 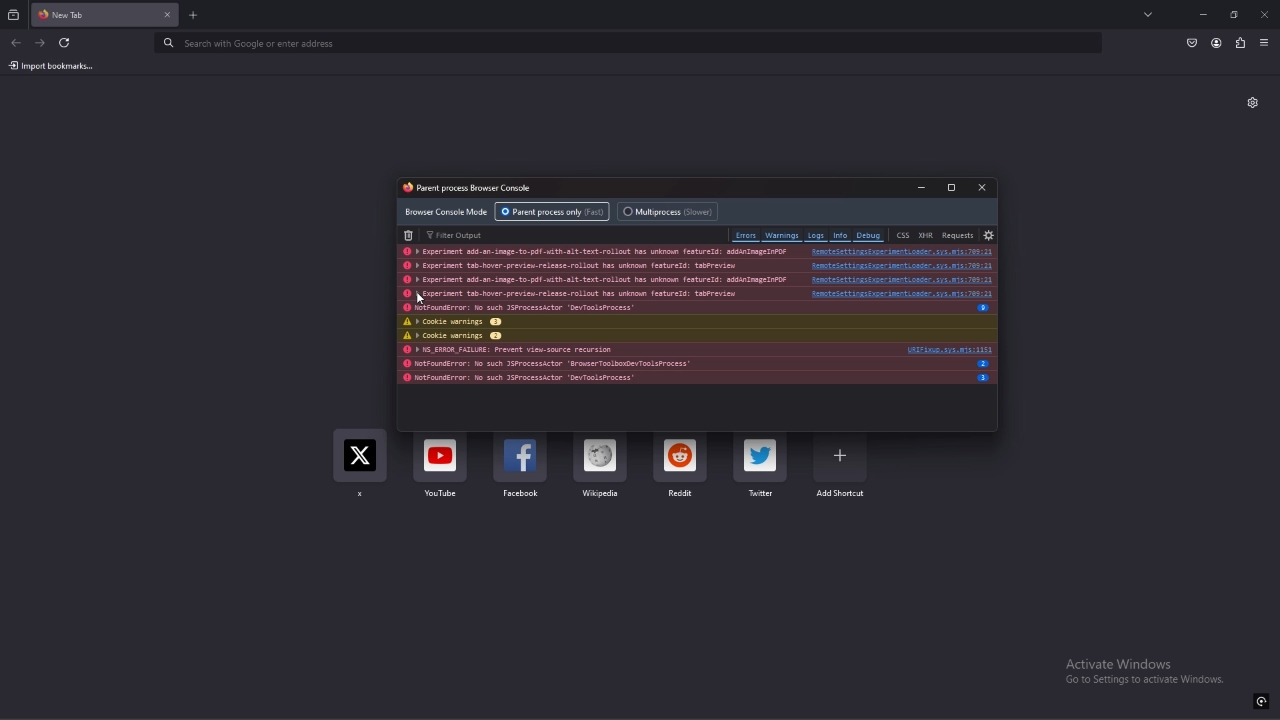 I want to click on xhr, so click(x=925, y=235).